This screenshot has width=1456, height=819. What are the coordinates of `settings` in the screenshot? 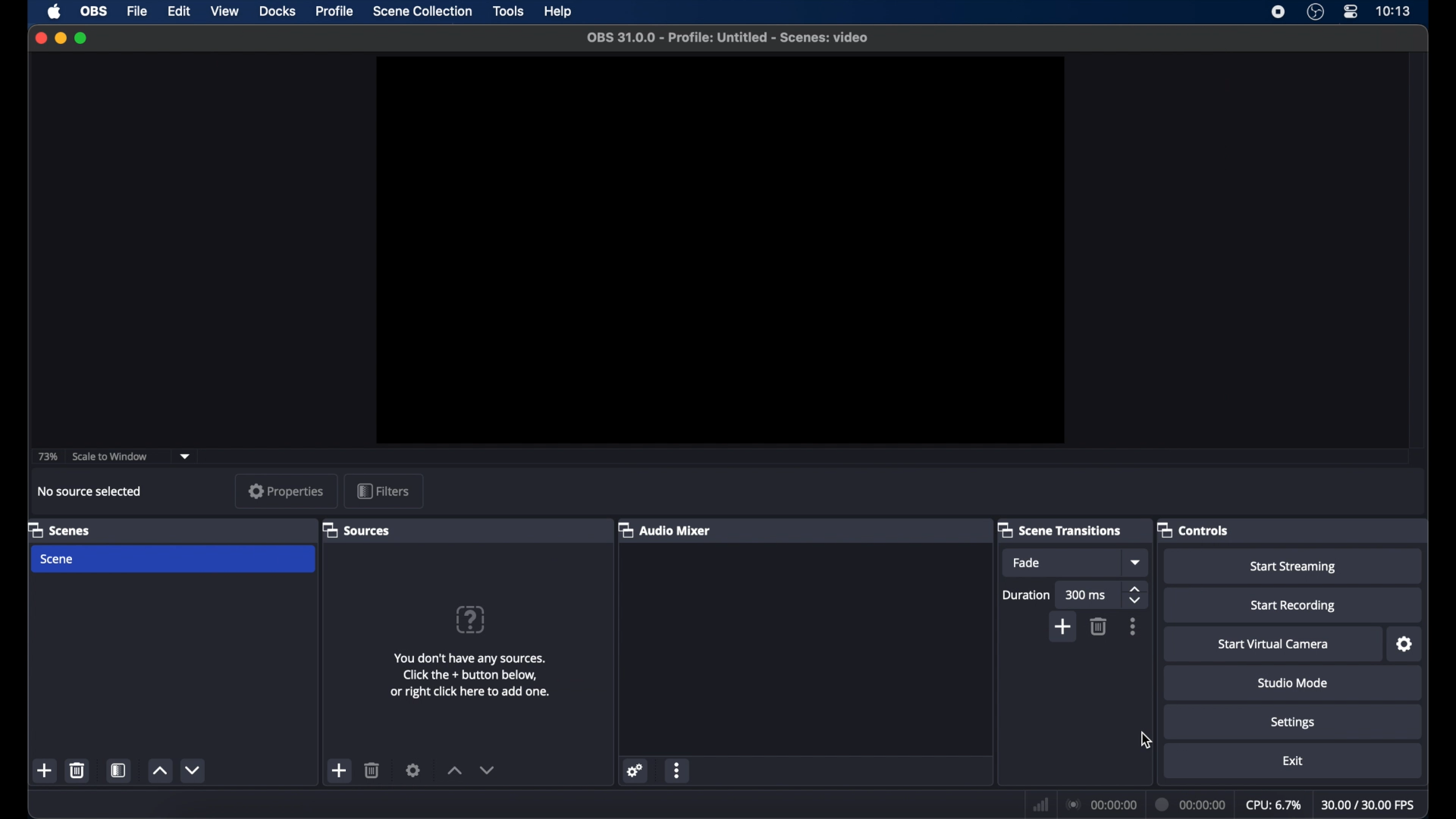 It's located at (635, 770).